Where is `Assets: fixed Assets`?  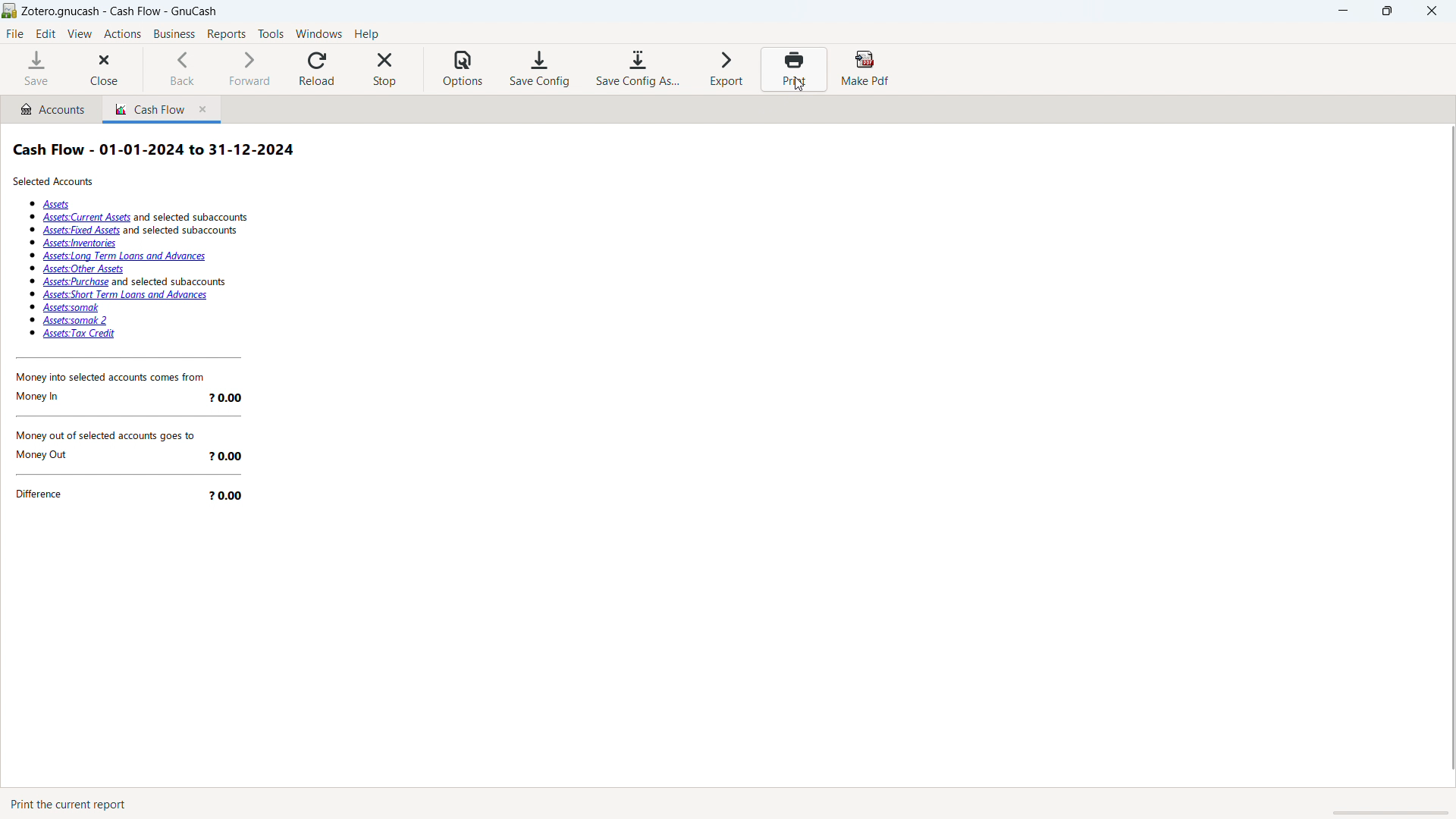
Assets: fixed Assets is located at coordinates (146, 231).